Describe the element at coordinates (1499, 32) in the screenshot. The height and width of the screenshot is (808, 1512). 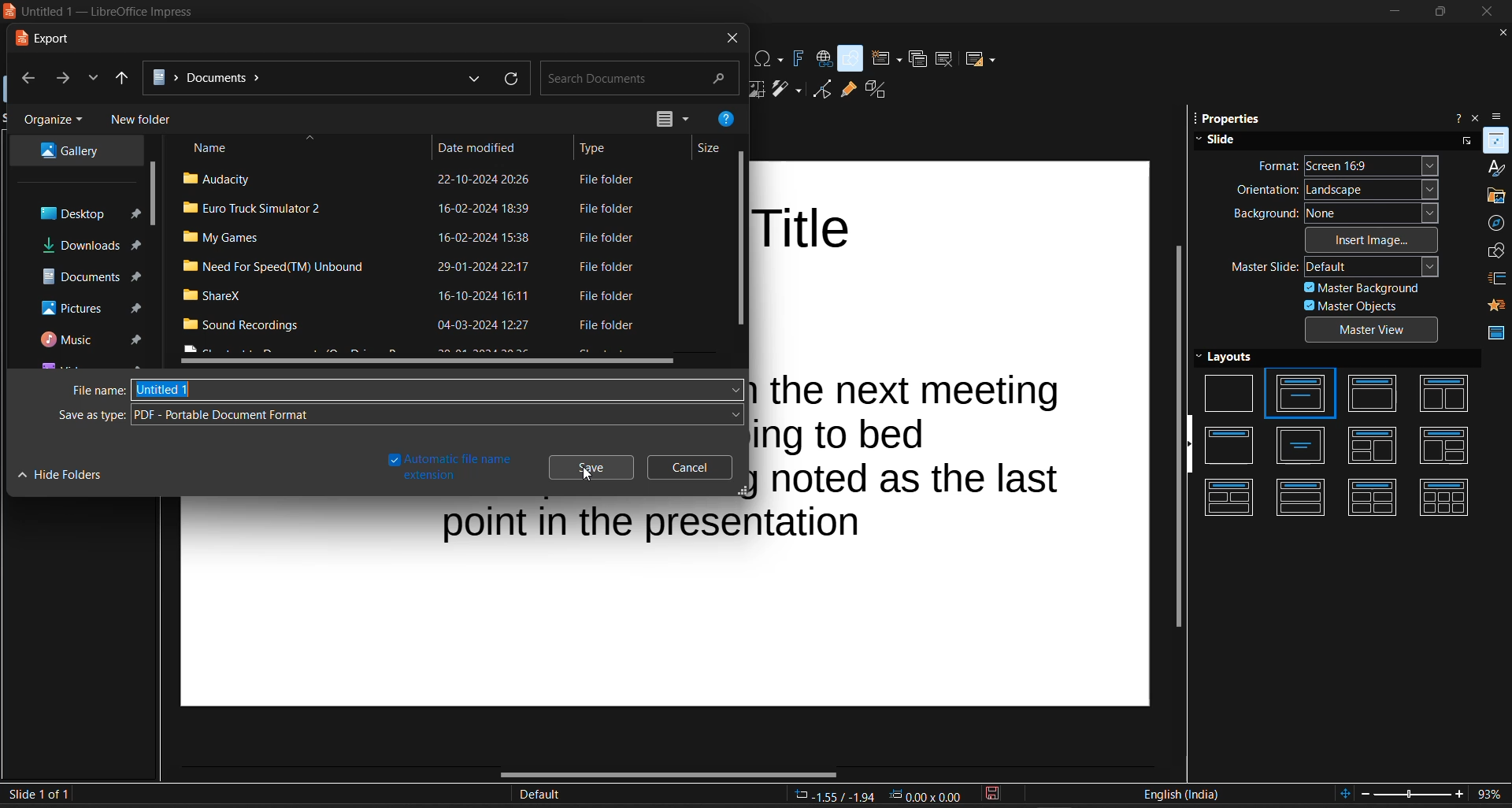
I see `close document` at that location.